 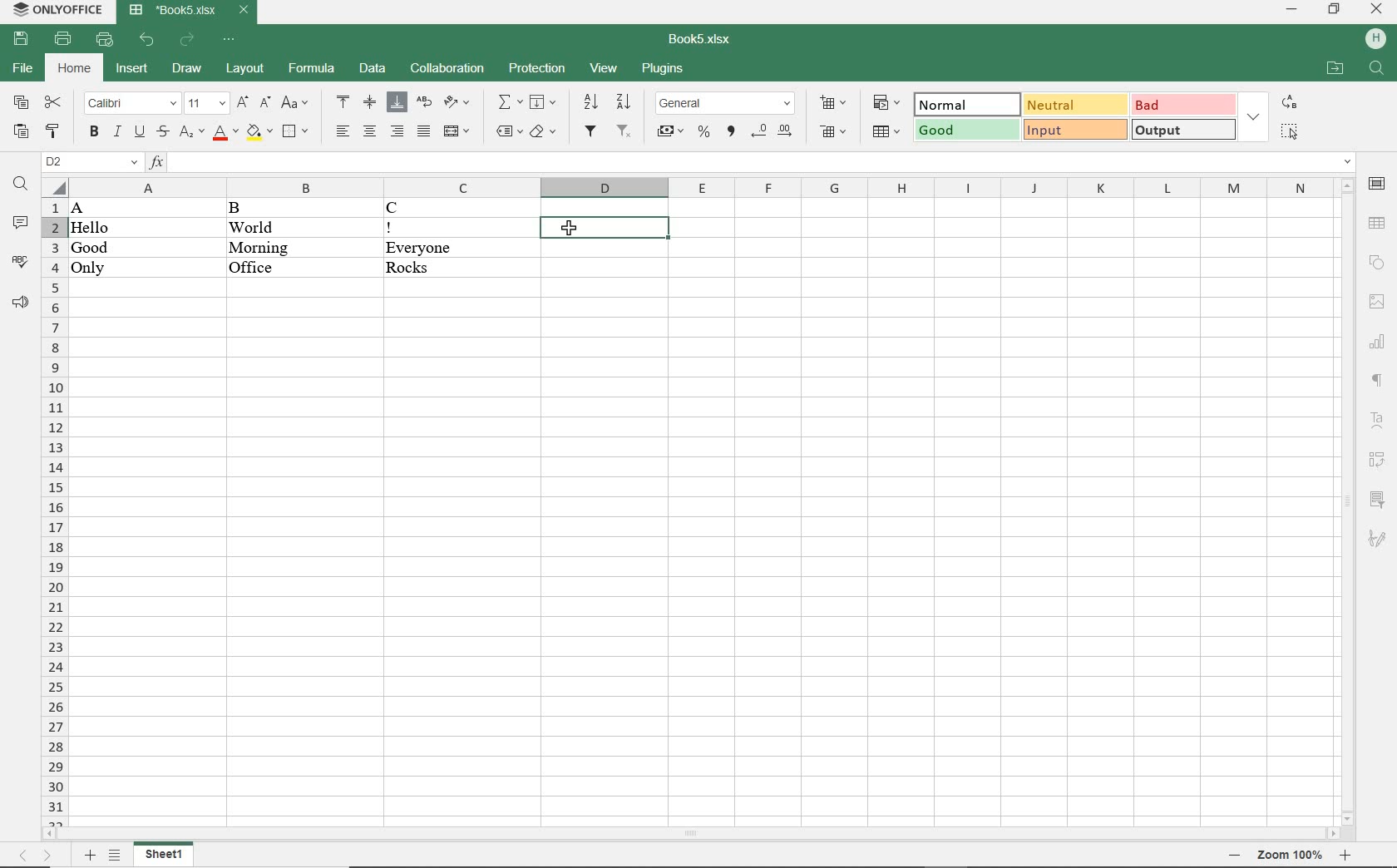 What do you see at coordinates (506, 131) in the screenshot?
I see `NAMED RANGES` at bounding box center [506, 131].